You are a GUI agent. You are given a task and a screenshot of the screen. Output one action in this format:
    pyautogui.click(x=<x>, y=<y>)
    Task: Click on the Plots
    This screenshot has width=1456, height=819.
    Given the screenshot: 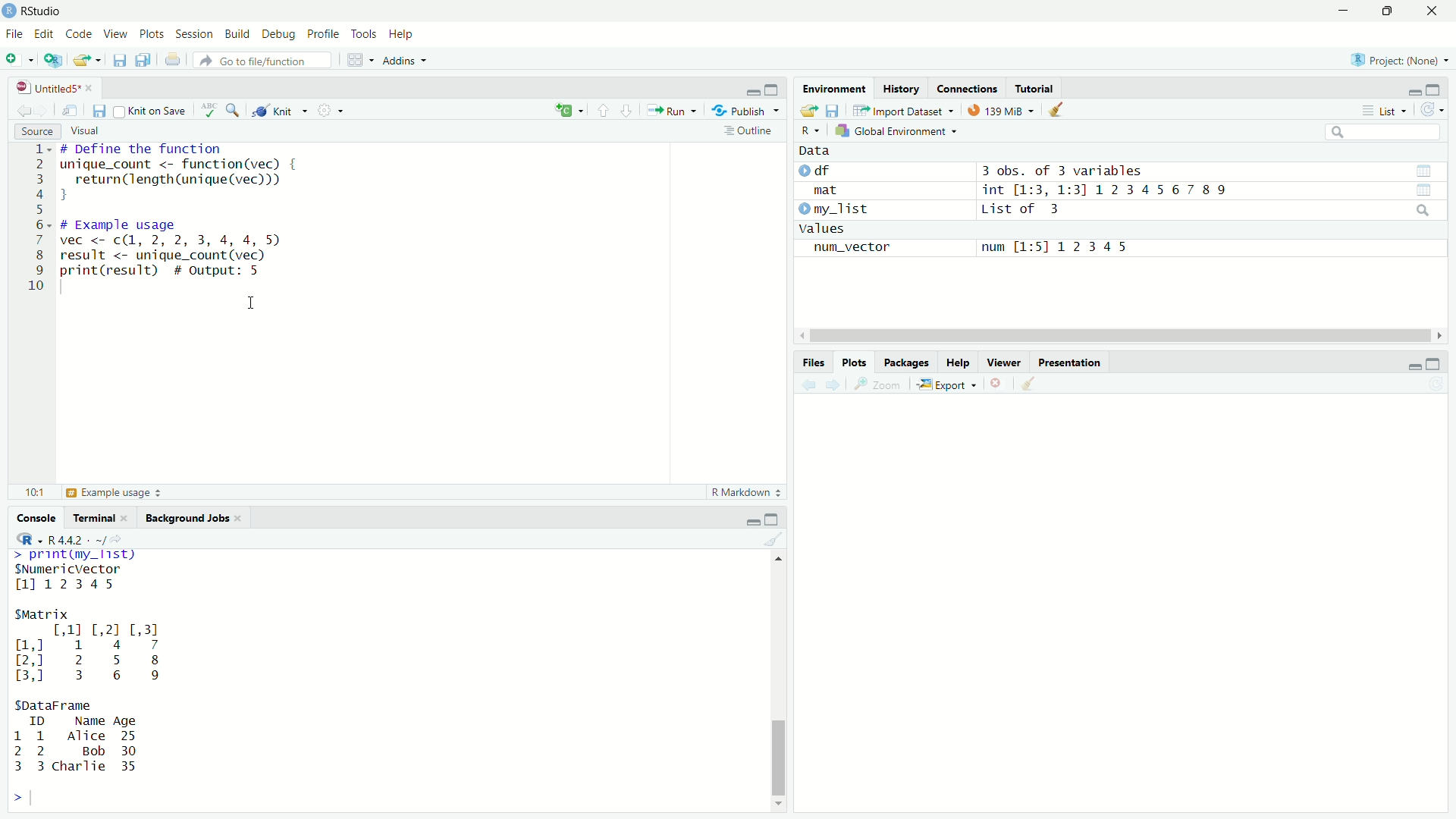 What is the action you would take?
    pyautogui.click(x=856, y=362)
    